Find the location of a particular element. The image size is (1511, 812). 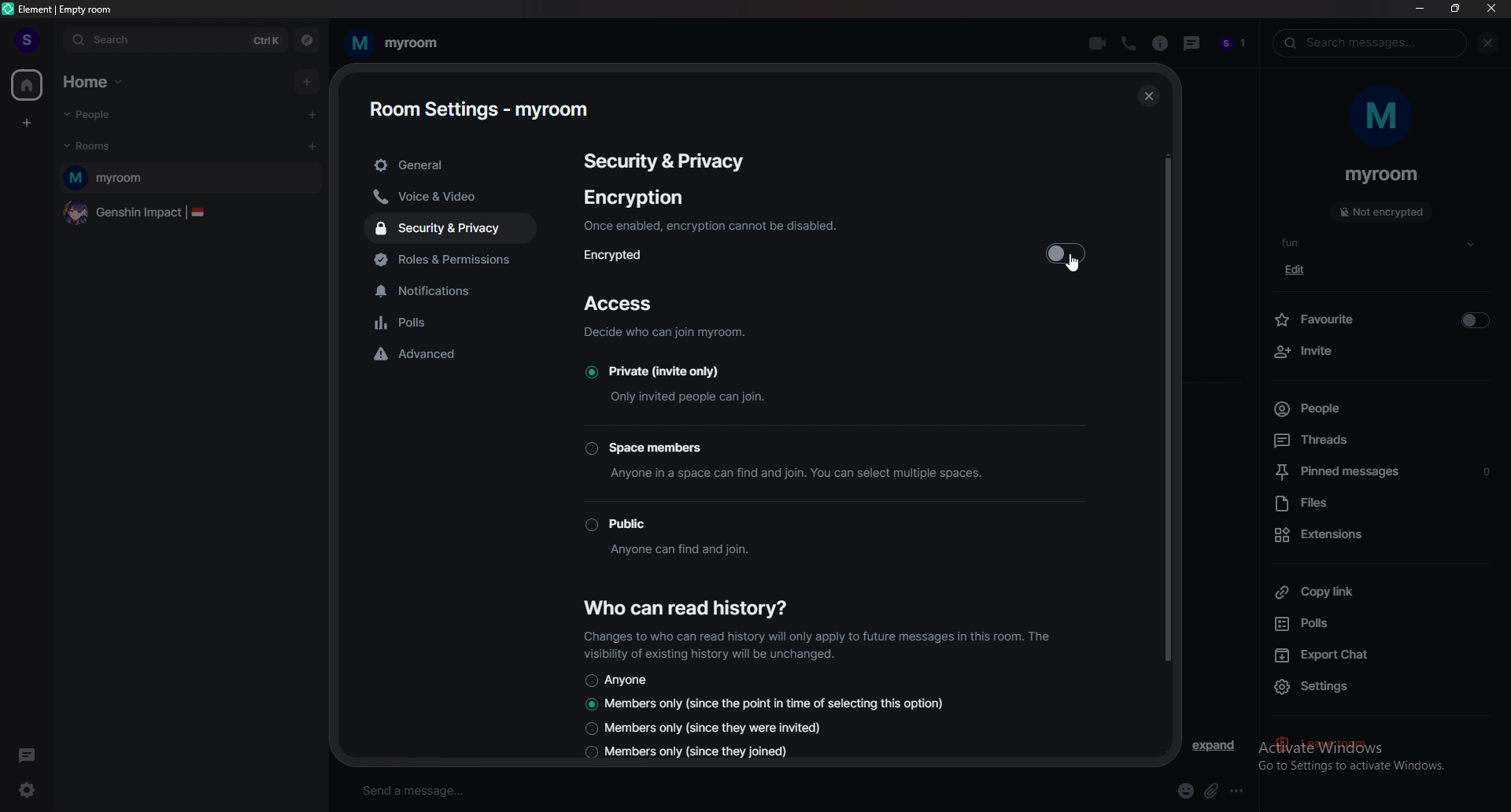

home is located at coordinates (28, 85).